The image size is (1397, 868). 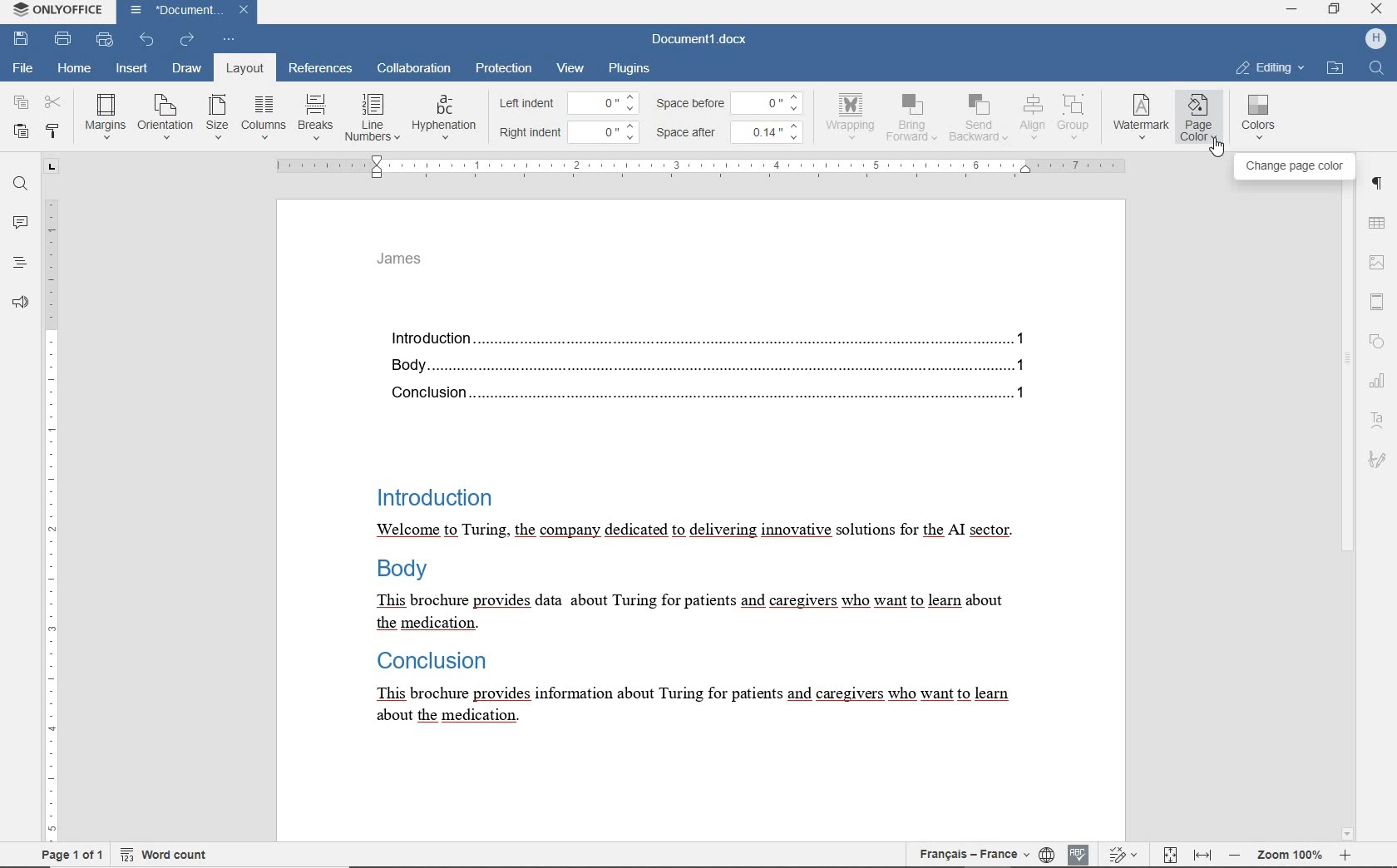 I want to click on profile, so click(x=1368, y=38).